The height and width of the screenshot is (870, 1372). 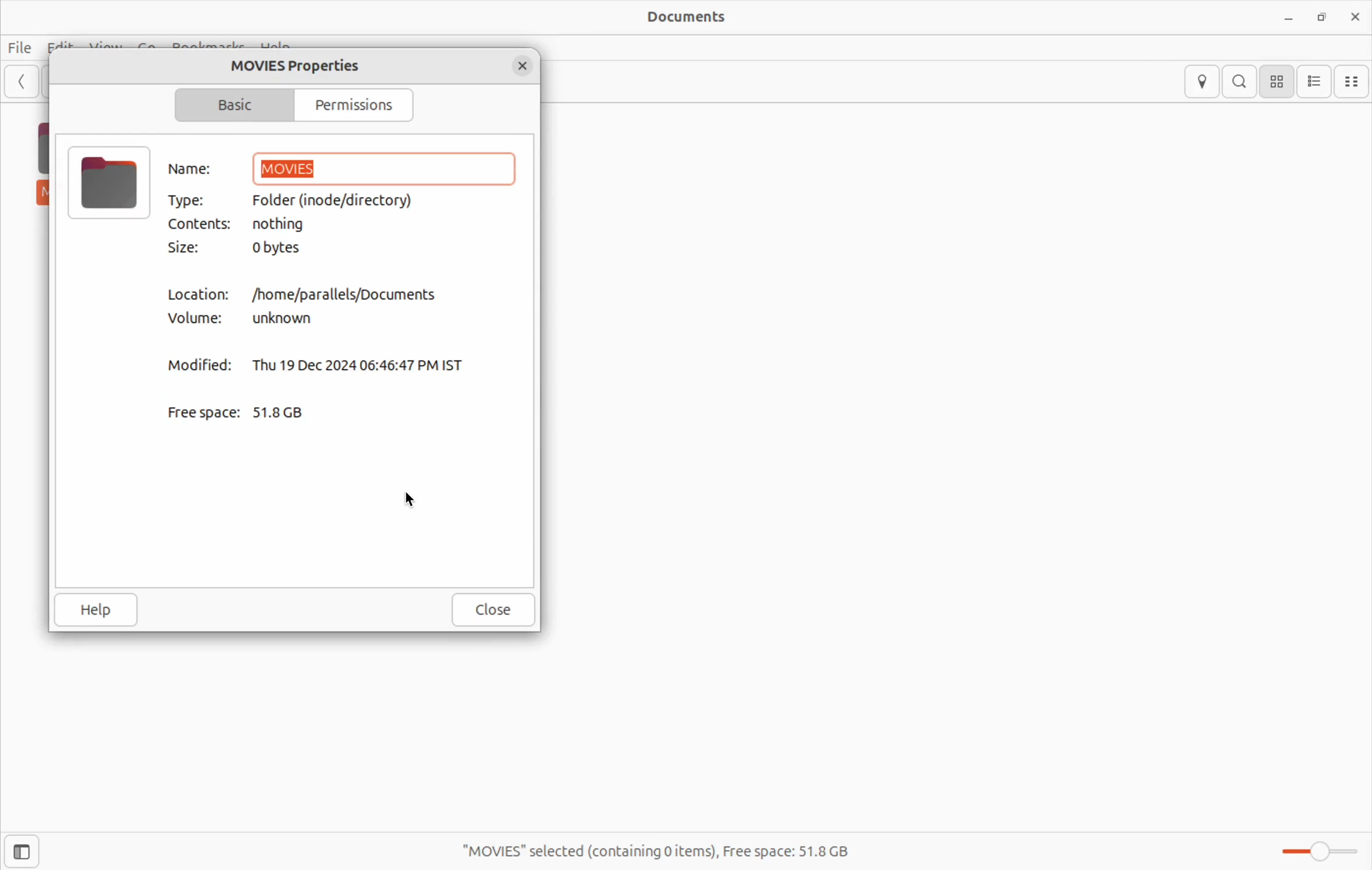 What do you see at coordinates (108, 183) in the screenshot?
I see `File` at bounding box center [108, 183].